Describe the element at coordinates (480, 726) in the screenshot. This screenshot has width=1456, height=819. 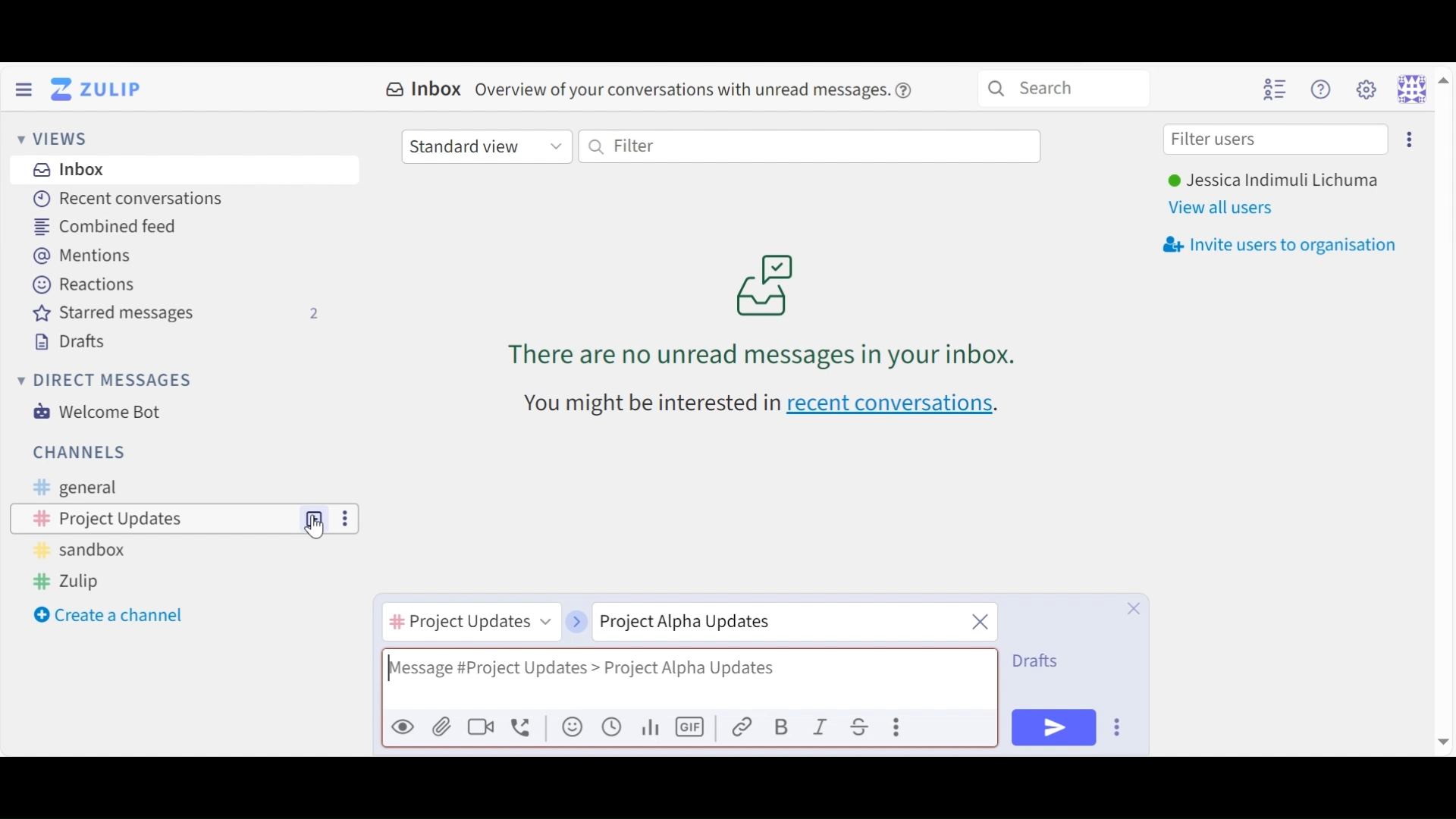
I see `Ad video call` at that location.